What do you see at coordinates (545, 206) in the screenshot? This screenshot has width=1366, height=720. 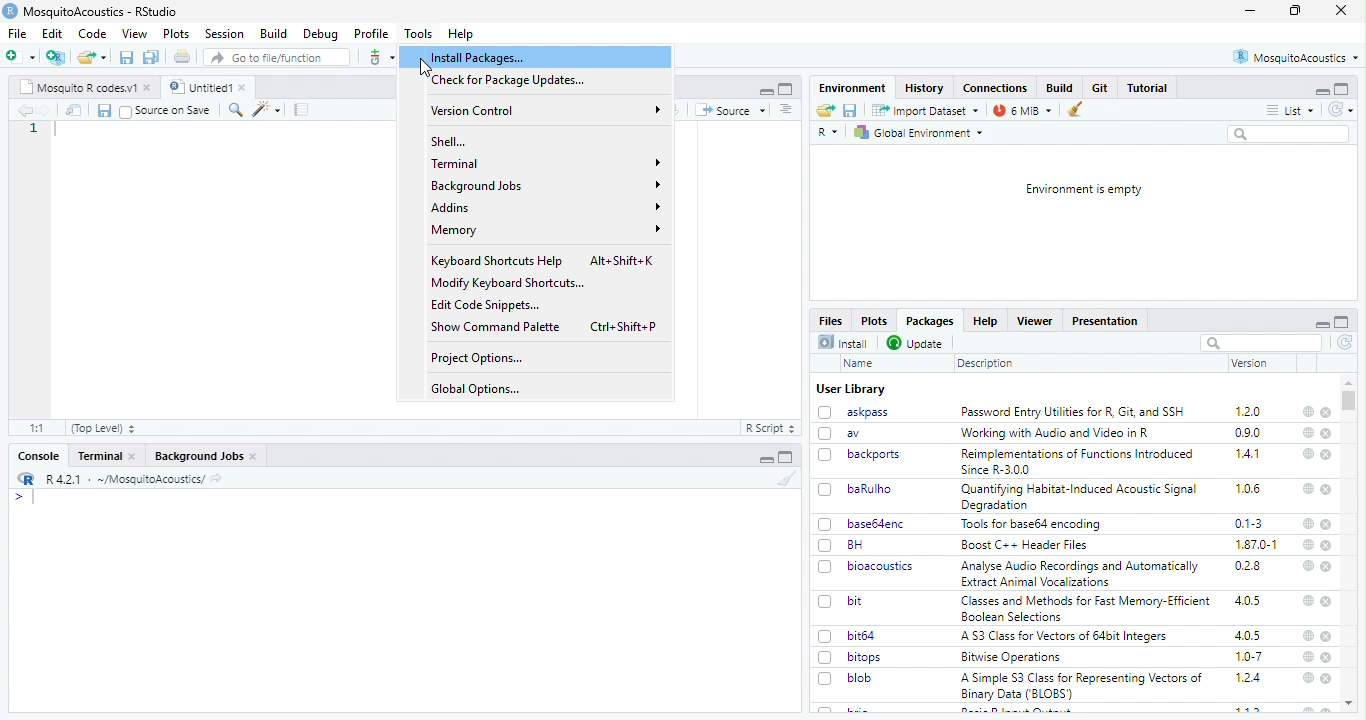 I see `Addins` at bounding box center [545, 206].